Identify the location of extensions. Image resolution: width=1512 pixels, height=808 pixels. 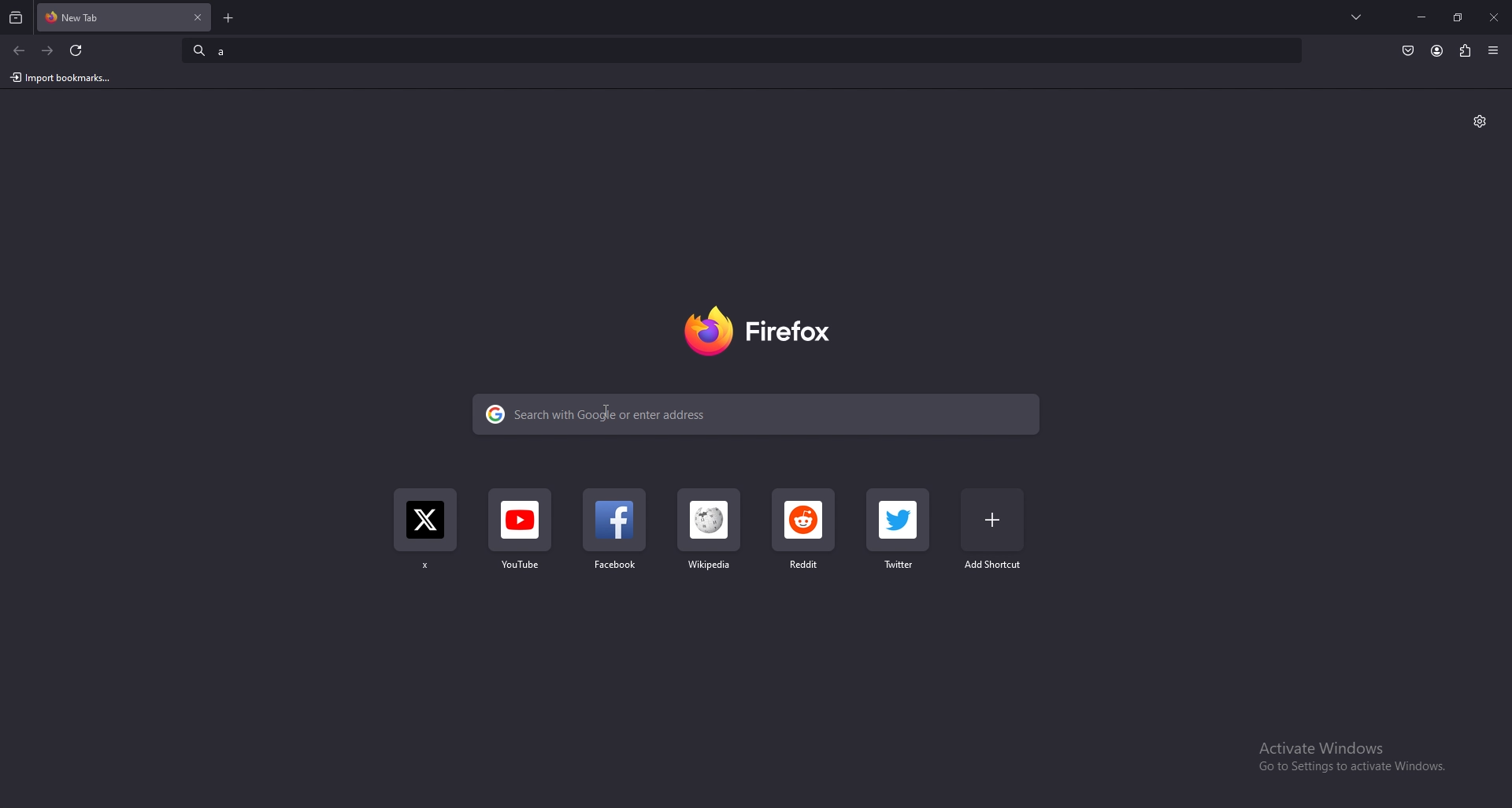
(1466, 49).